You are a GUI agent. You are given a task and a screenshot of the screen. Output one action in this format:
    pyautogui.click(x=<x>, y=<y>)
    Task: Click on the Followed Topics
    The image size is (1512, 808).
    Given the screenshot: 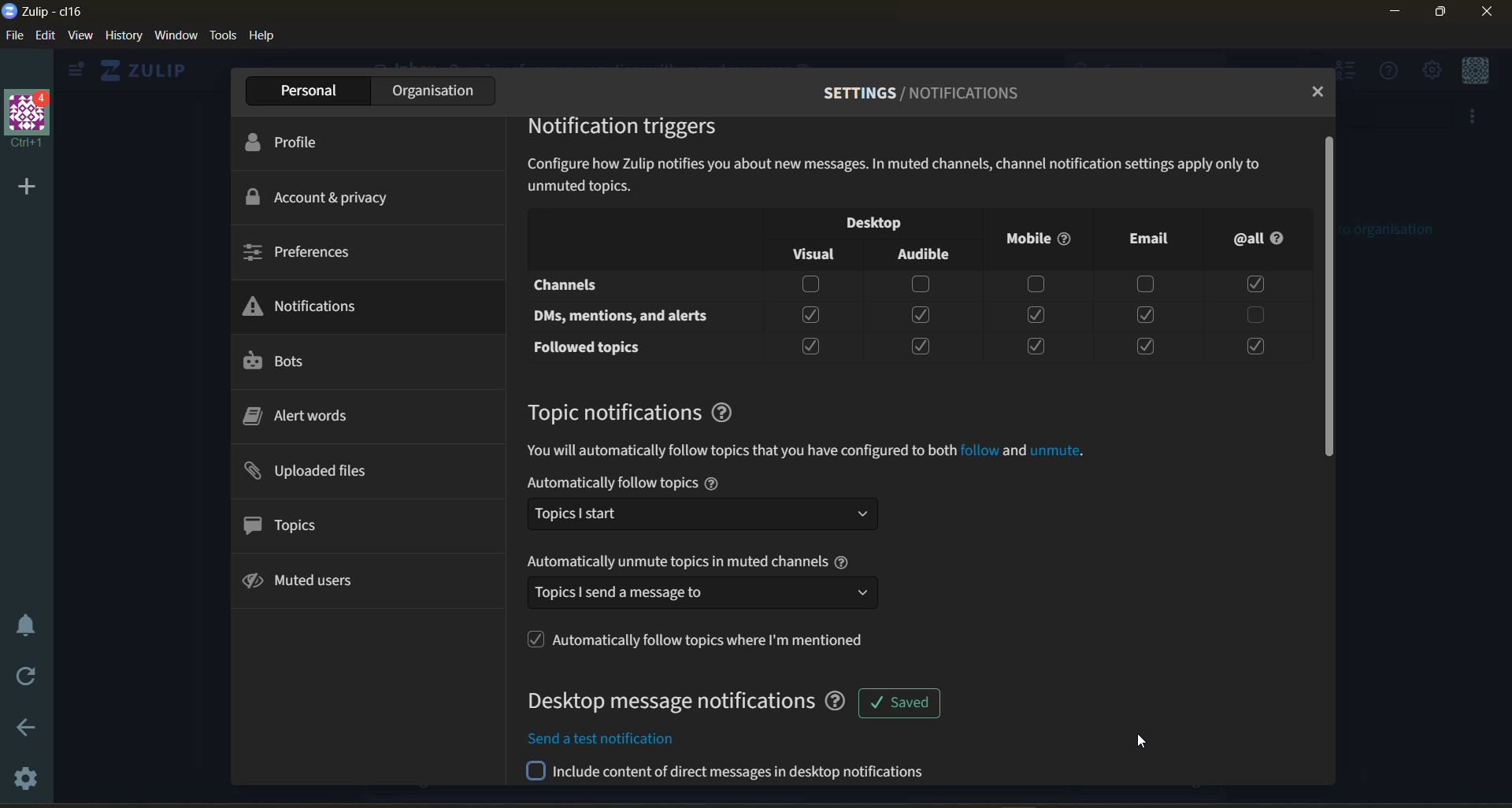 What is the action you would take?
    pyautogui.click(x=590, y=347)
    